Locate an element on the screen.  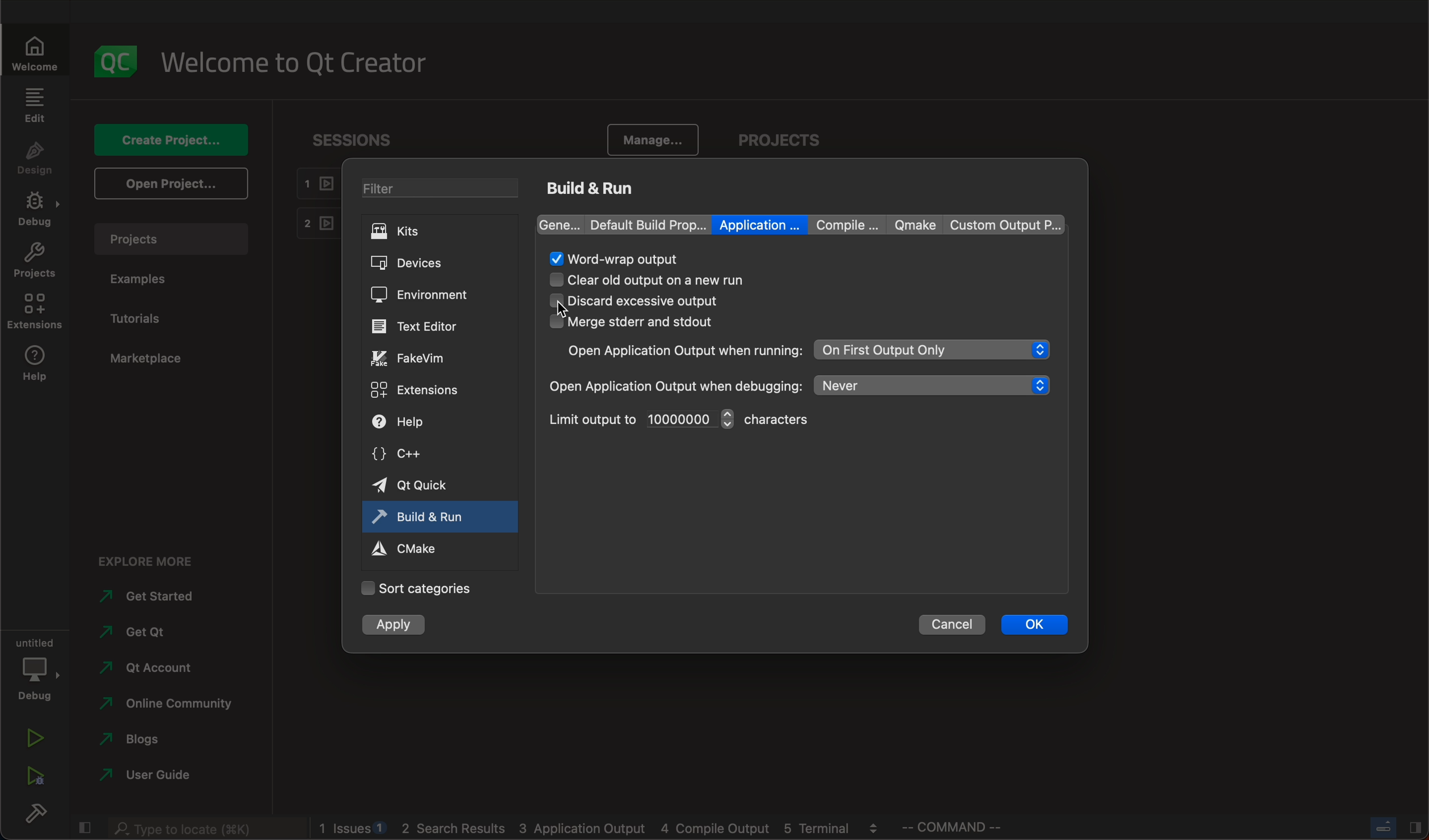
run debug is located at coordinates (34, 779).